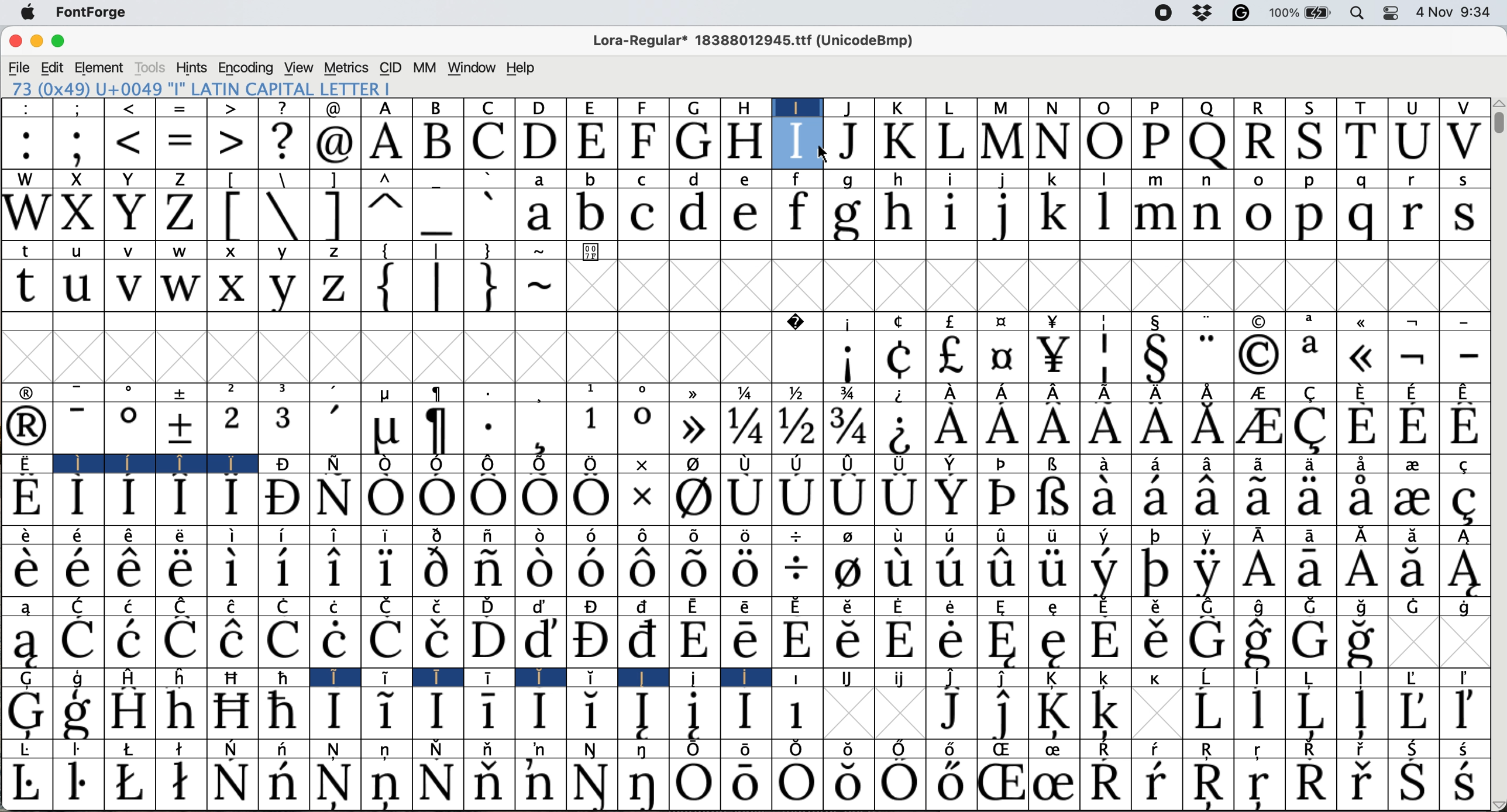 The width and height of the screenshot is (1507, 812). What do you see at coordinates (1414, 569) in the screenshot?
I see `Symbol` at bounding box center [1414, 569].